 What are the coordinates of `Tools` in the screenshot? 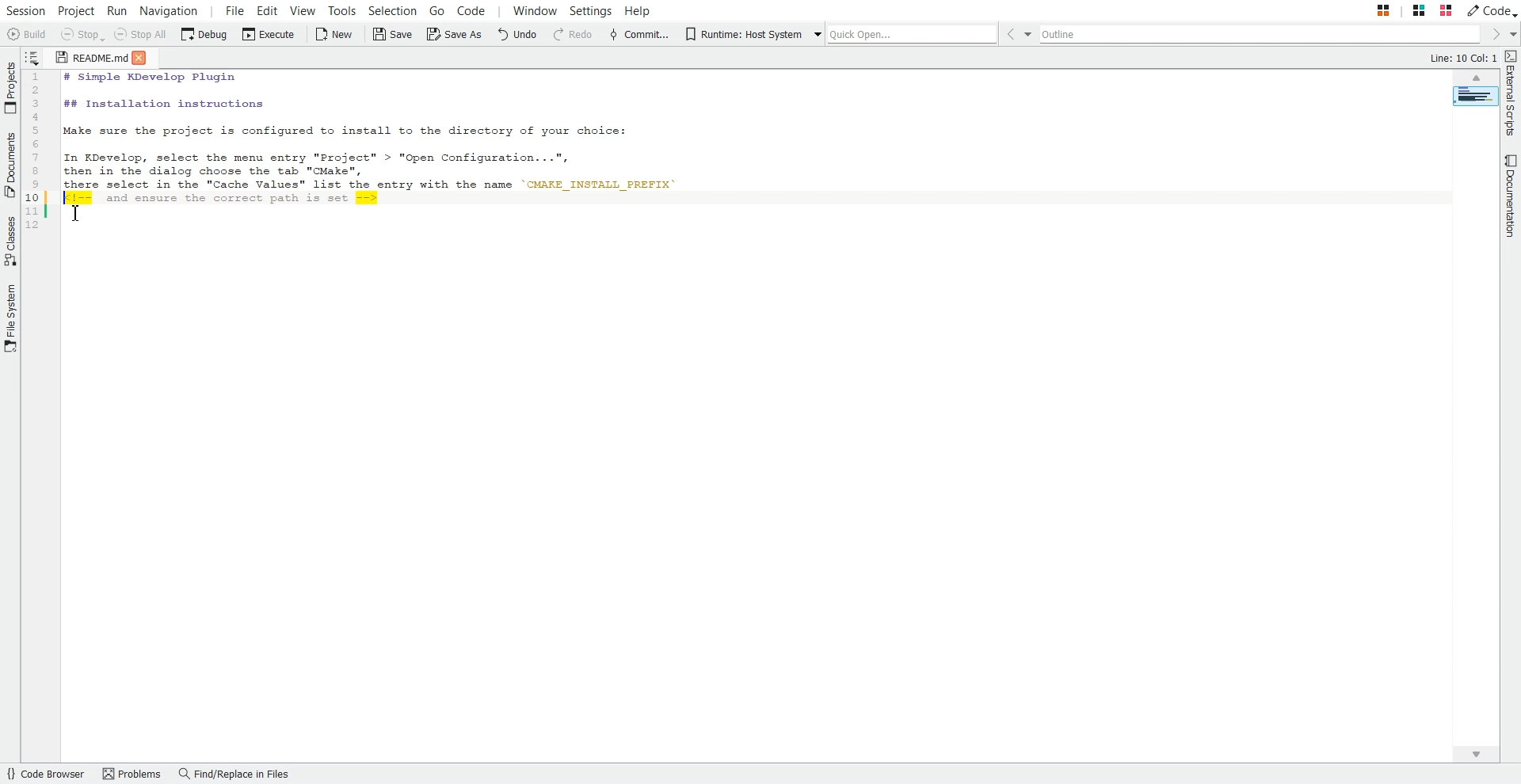 It's located at (343, 10).